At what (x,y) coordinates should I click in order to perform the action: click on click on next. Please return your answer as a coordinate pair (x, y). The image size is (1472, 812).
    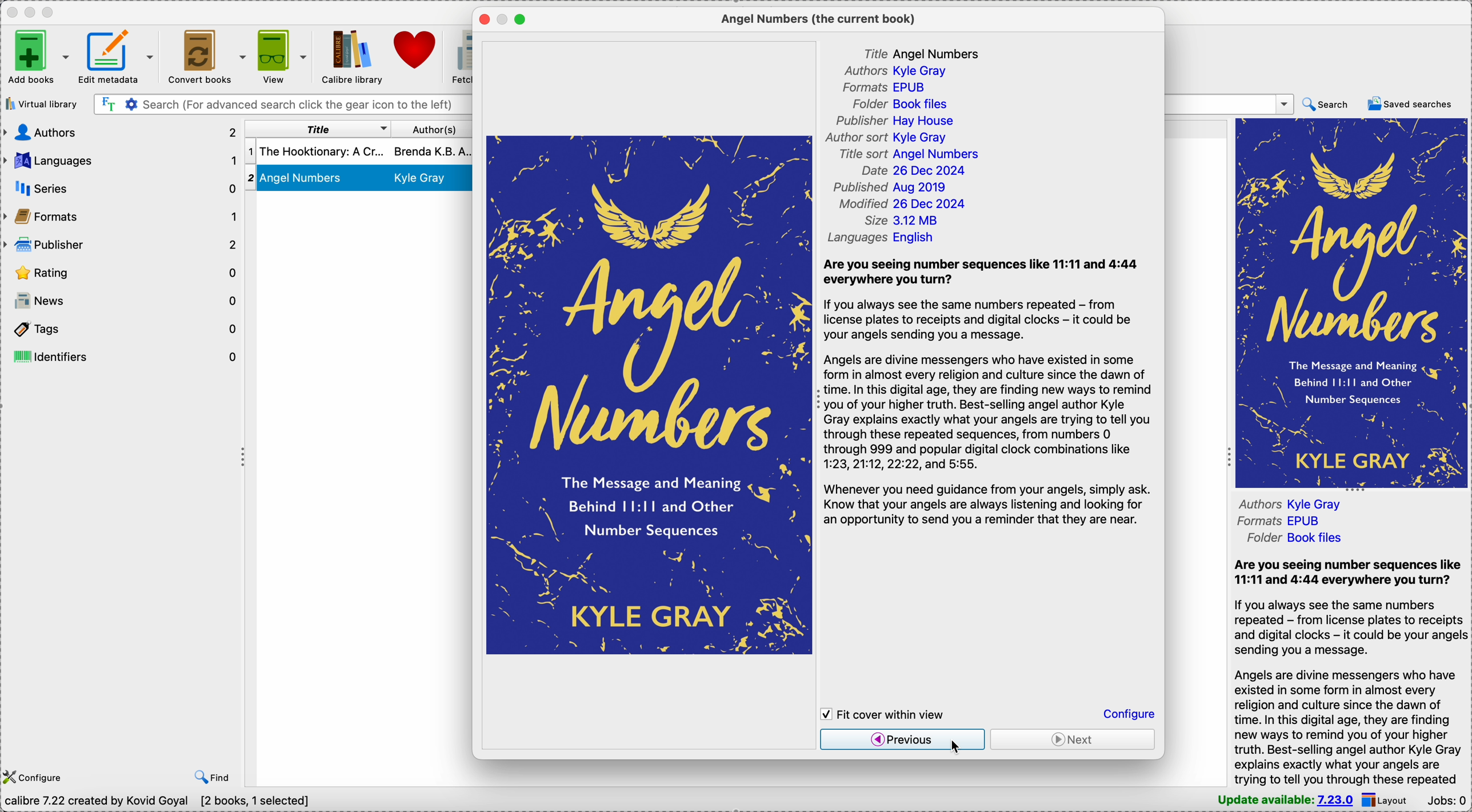
    Looking at the image, I should click on (1074, 742).